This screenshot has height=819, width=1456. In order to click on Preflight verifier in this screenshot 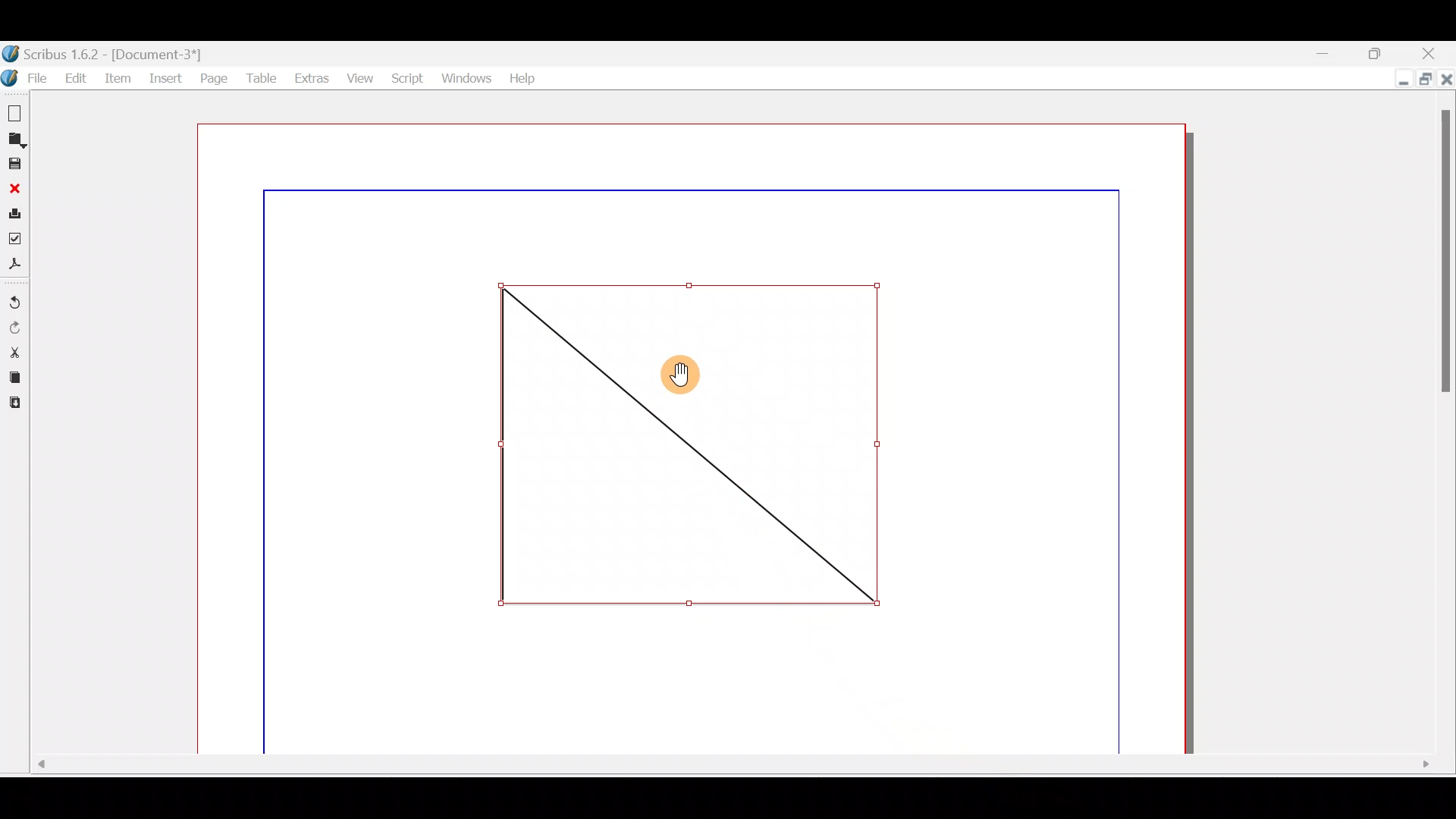, I will do `click(18, 237)`.